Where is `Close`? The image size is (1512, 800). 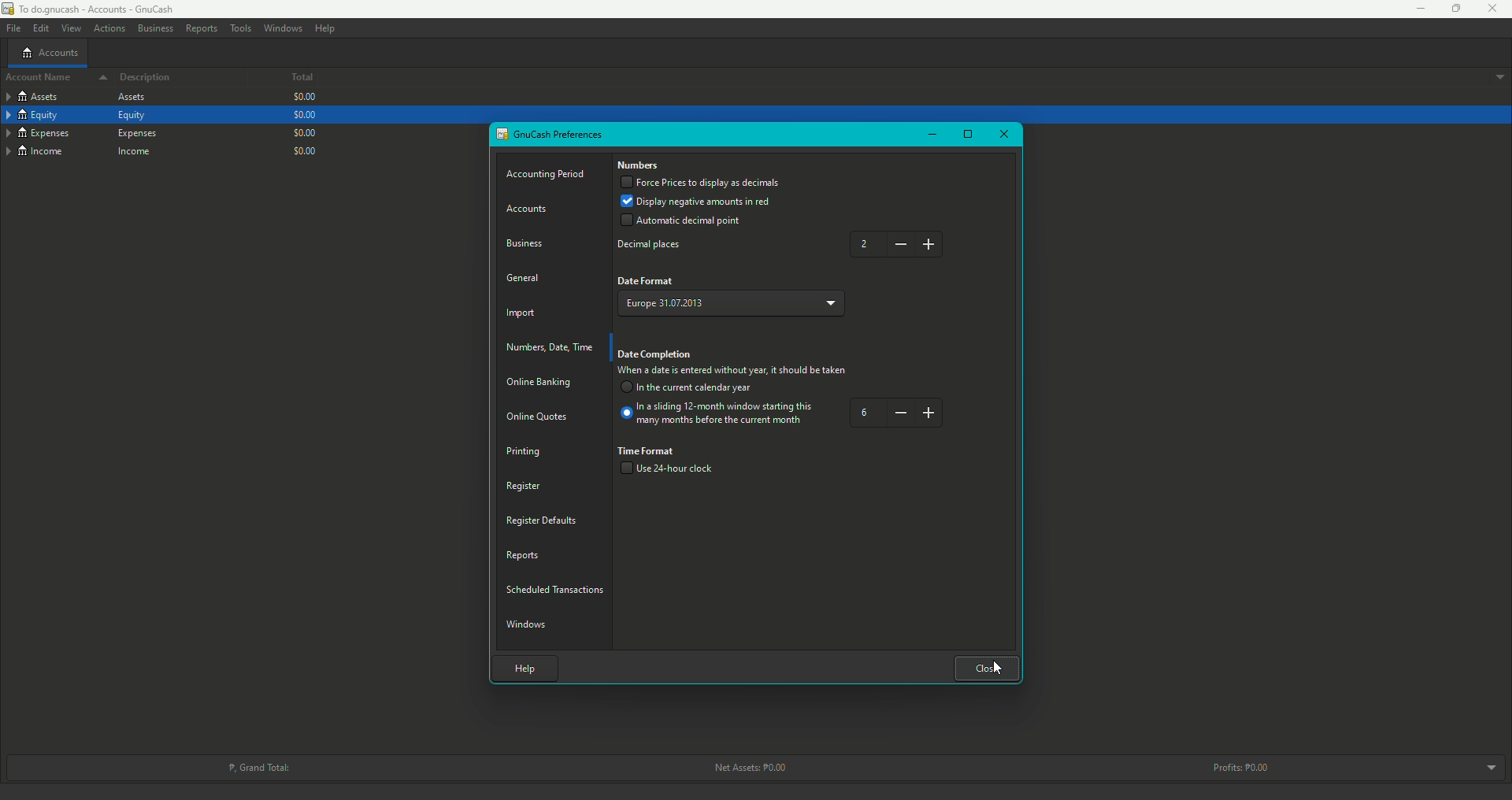
Close is located at coordinates (988, 667).